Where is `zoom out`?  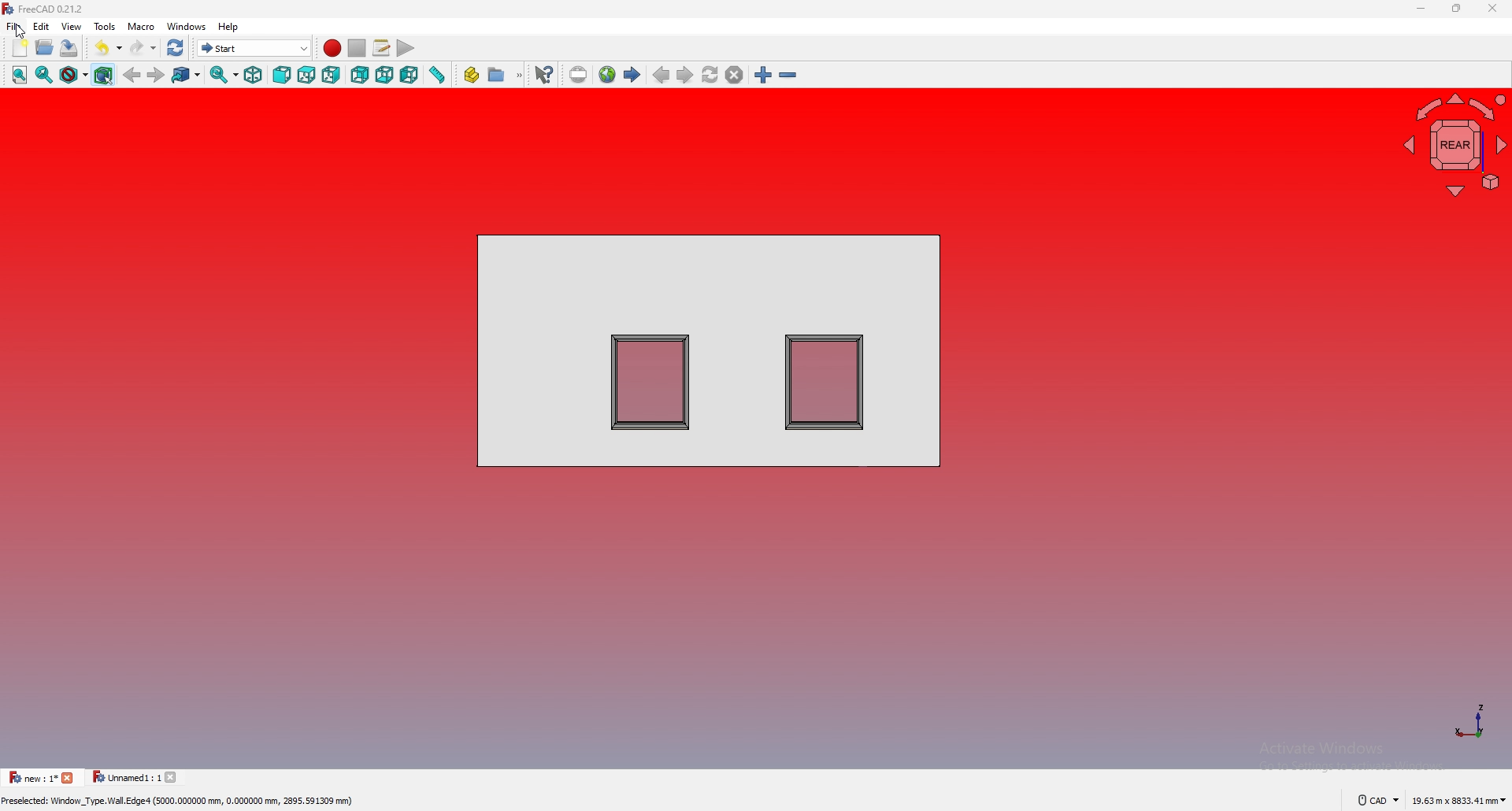
zoom out is located at coordinates (788, 75).